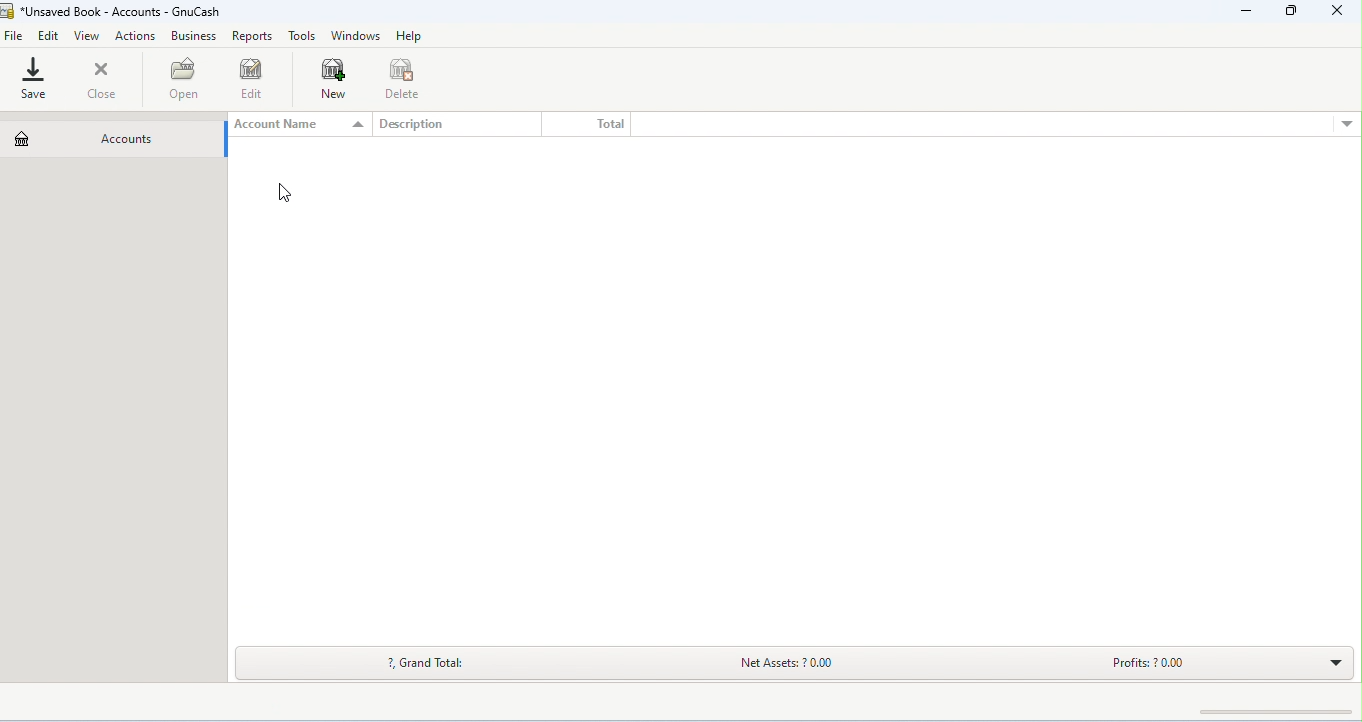 The width and height of the screenshot is (1362, 722). What do you see at coordinates (339, 79) in the screenshot?
I see `new` at bounding box center [339, 79].